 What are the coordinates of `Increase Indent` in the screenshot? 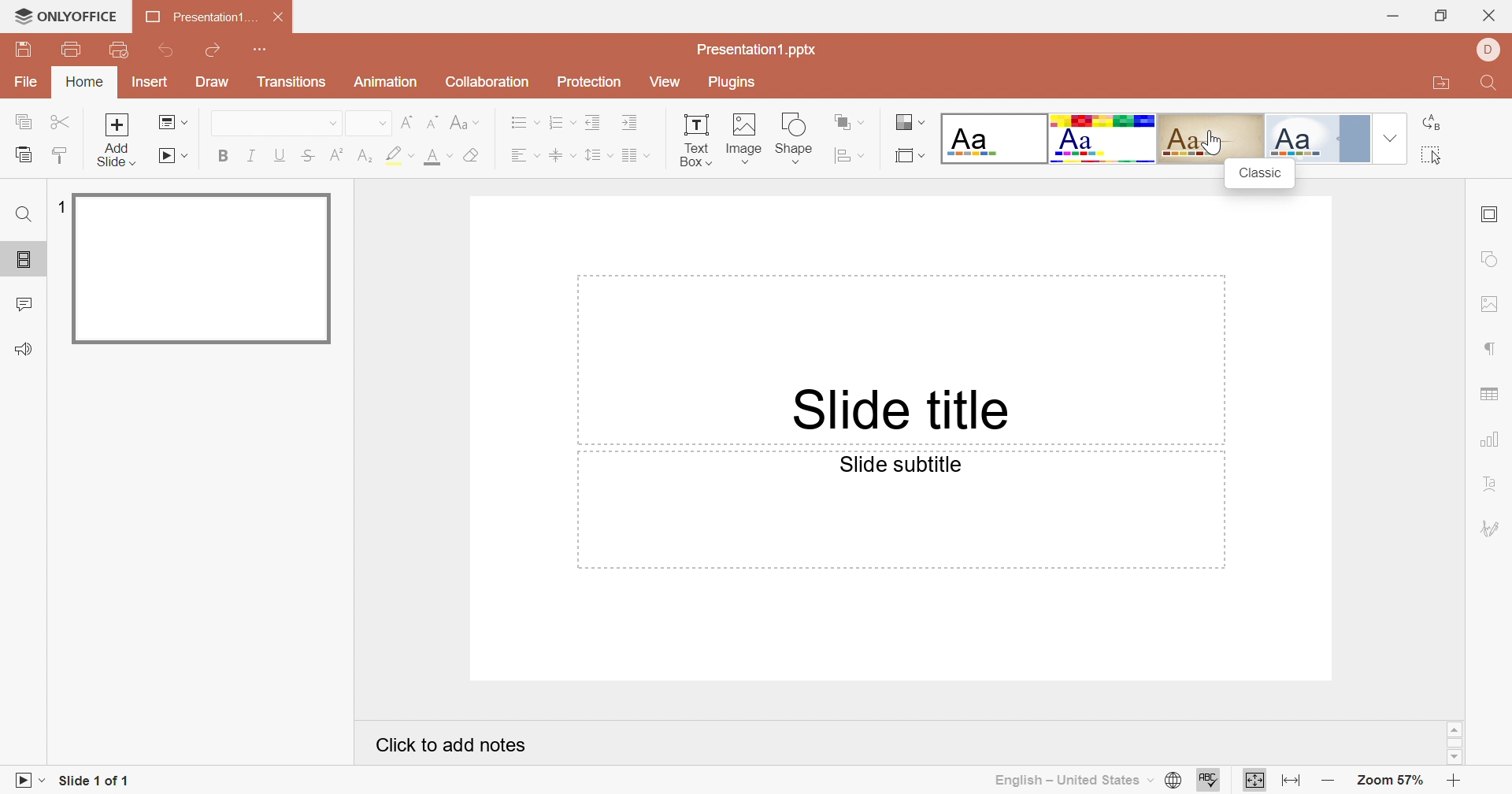 It's located at (631, 122).